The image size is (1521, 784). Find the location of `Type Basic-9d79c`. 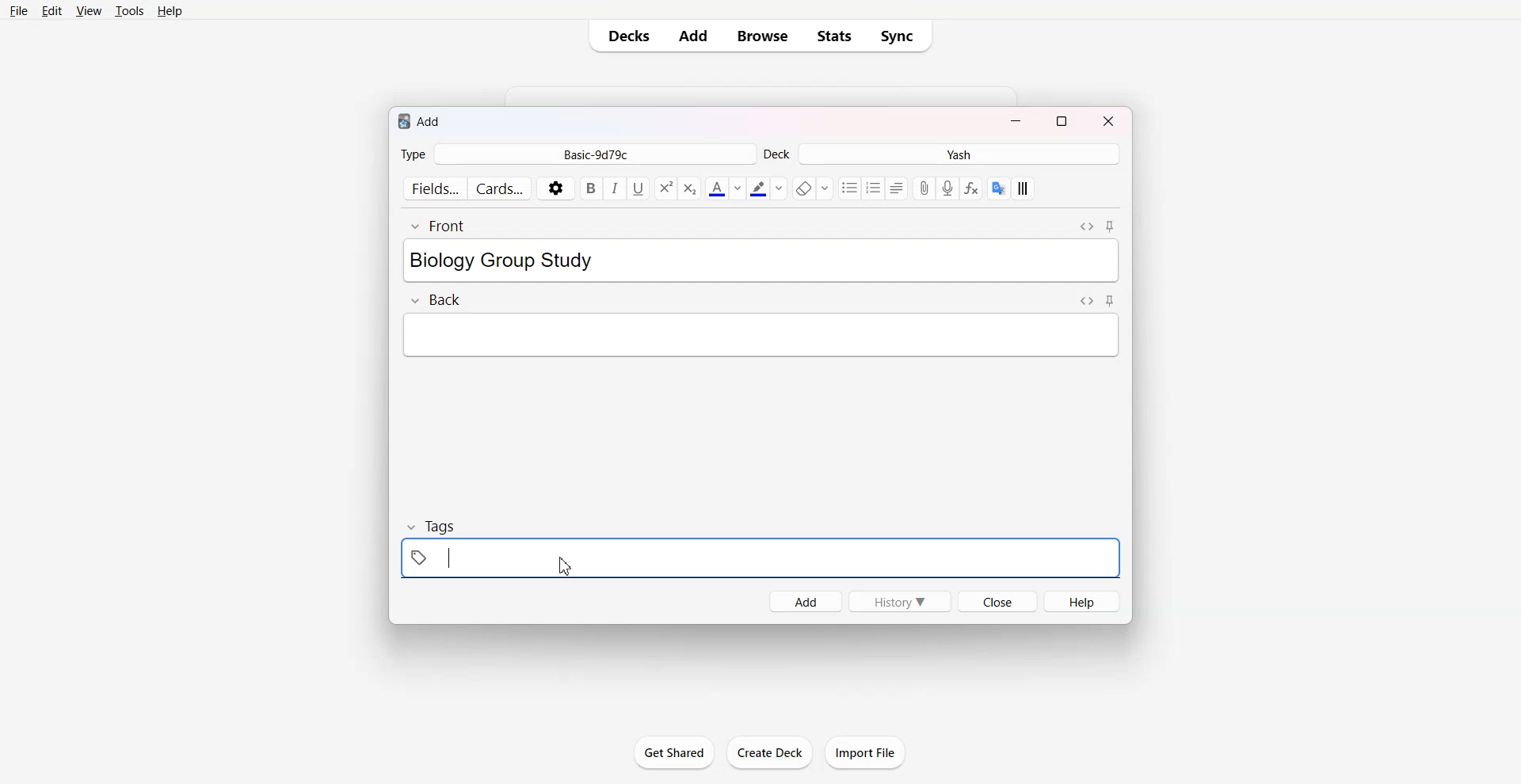

Type Basic-9d79c is located at coordinates (577, 154).